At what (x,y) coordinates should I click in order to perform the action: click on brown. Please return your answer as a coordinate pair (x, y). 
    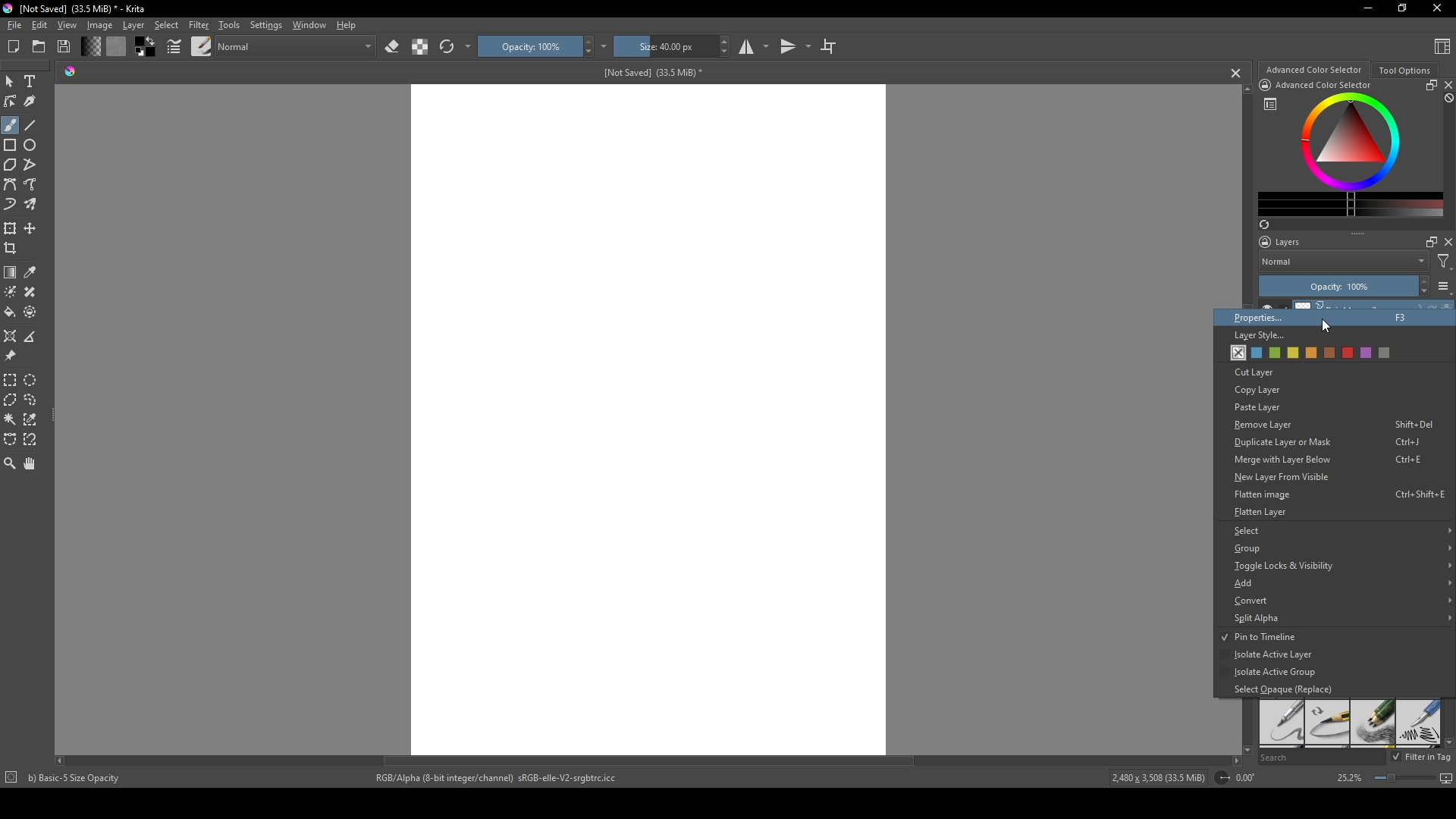
    Looking at the image, I should click on (1329, 353).